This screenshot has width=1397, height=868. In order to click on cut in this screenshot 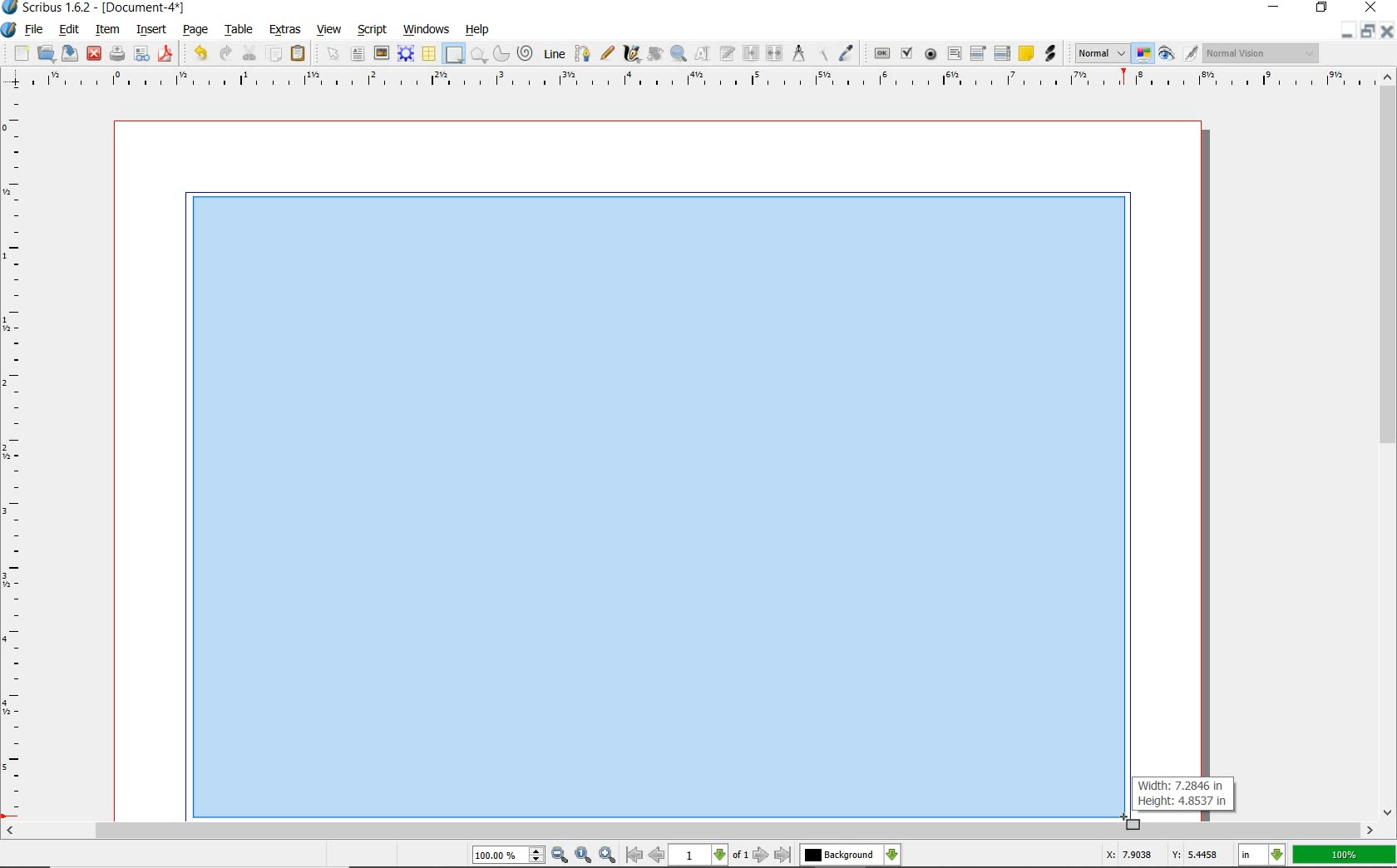, I will do `click(250, 52)`.